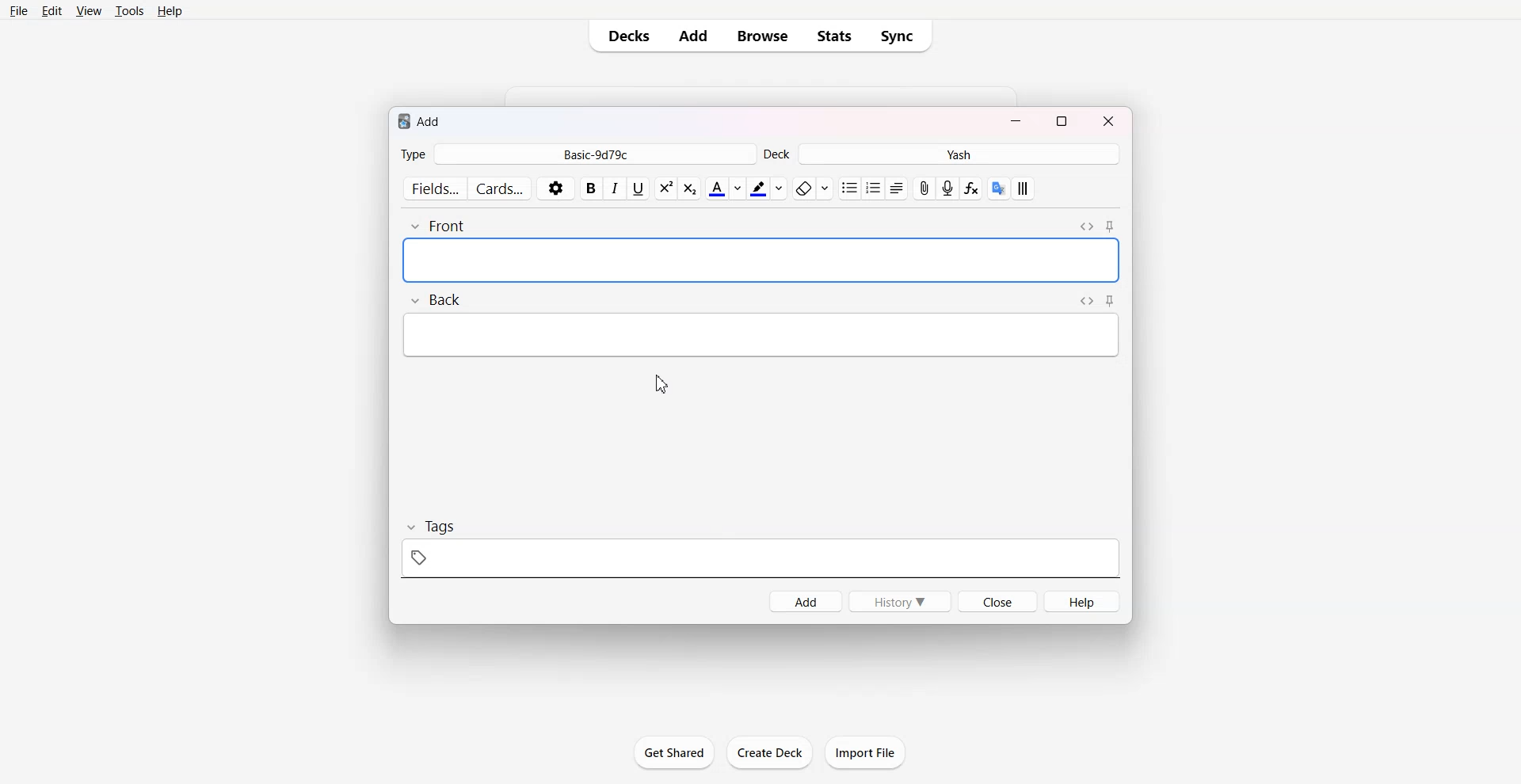  I want to click on Remove Format, so click(811, 188).